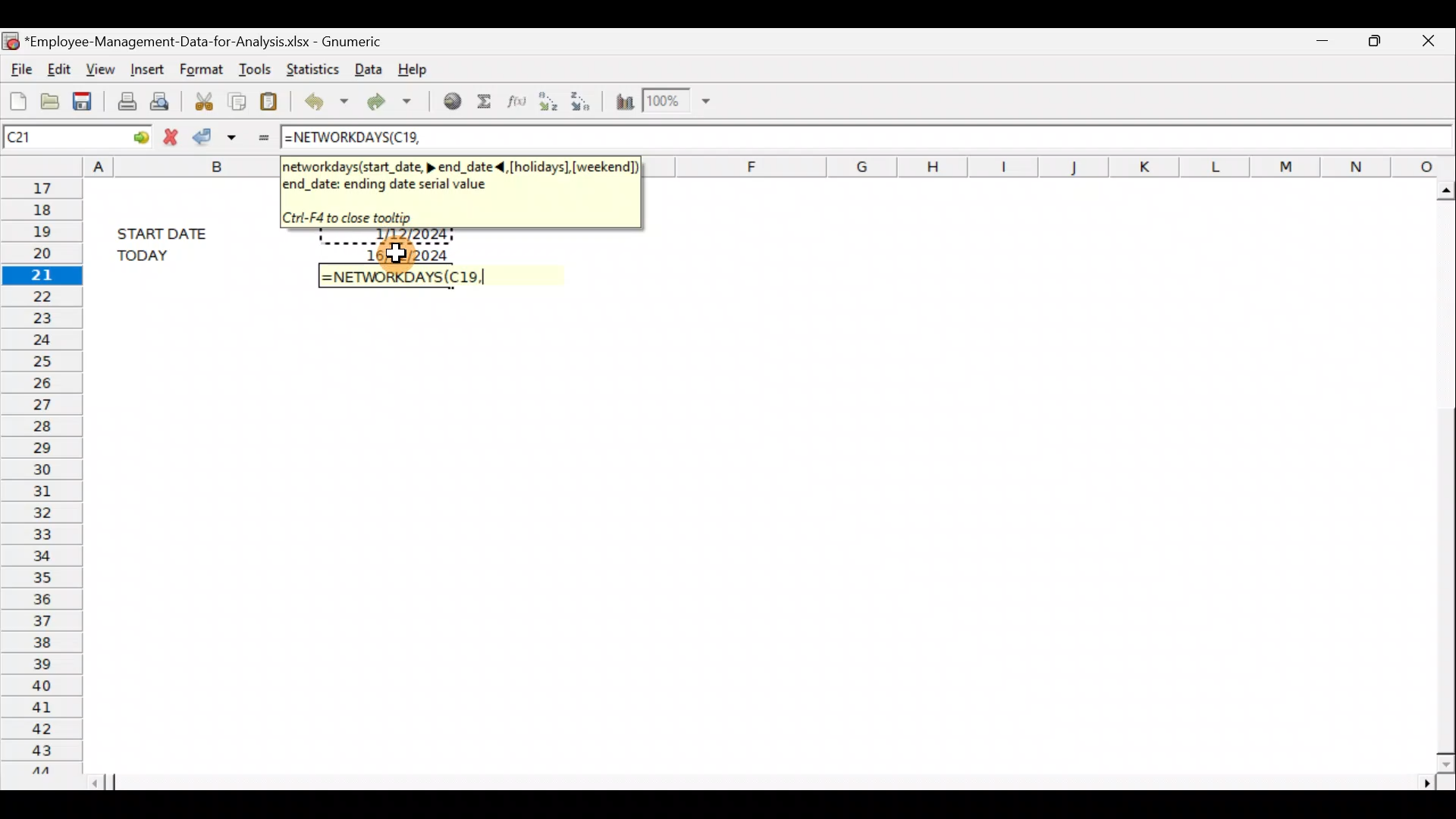 The width and height of the screenshot is (1456, 819). Describe the element at coordinates (204, 99) in the screenshot. I see `Cut the selection` at that location.